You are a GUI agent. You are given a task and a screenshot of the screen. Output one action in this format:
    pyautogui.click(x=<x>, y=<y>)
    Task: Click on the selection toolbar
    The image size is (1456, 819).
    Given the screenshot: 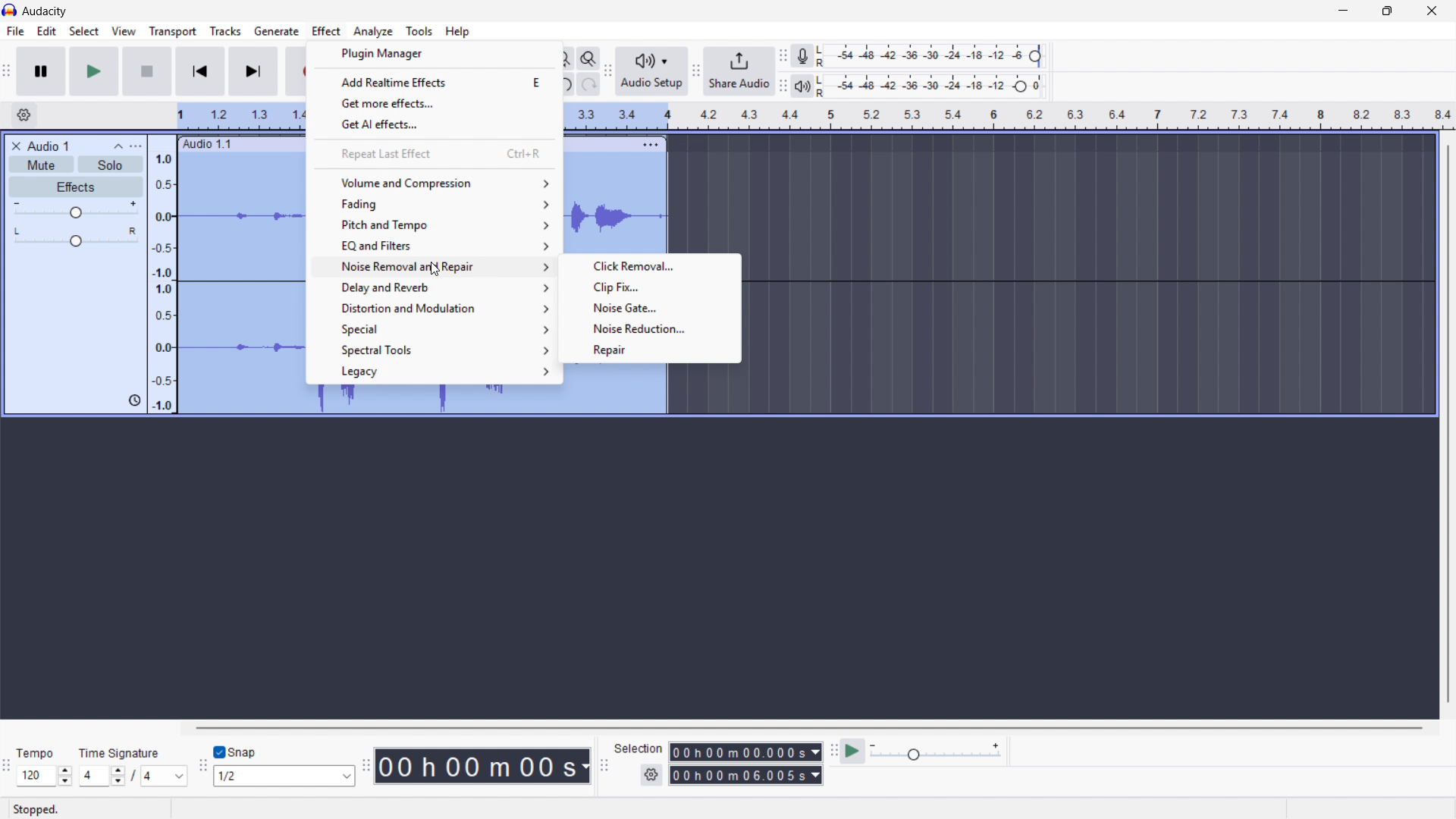 What is the action you would take?
    pyautogui.click(x=604, y=766)
    